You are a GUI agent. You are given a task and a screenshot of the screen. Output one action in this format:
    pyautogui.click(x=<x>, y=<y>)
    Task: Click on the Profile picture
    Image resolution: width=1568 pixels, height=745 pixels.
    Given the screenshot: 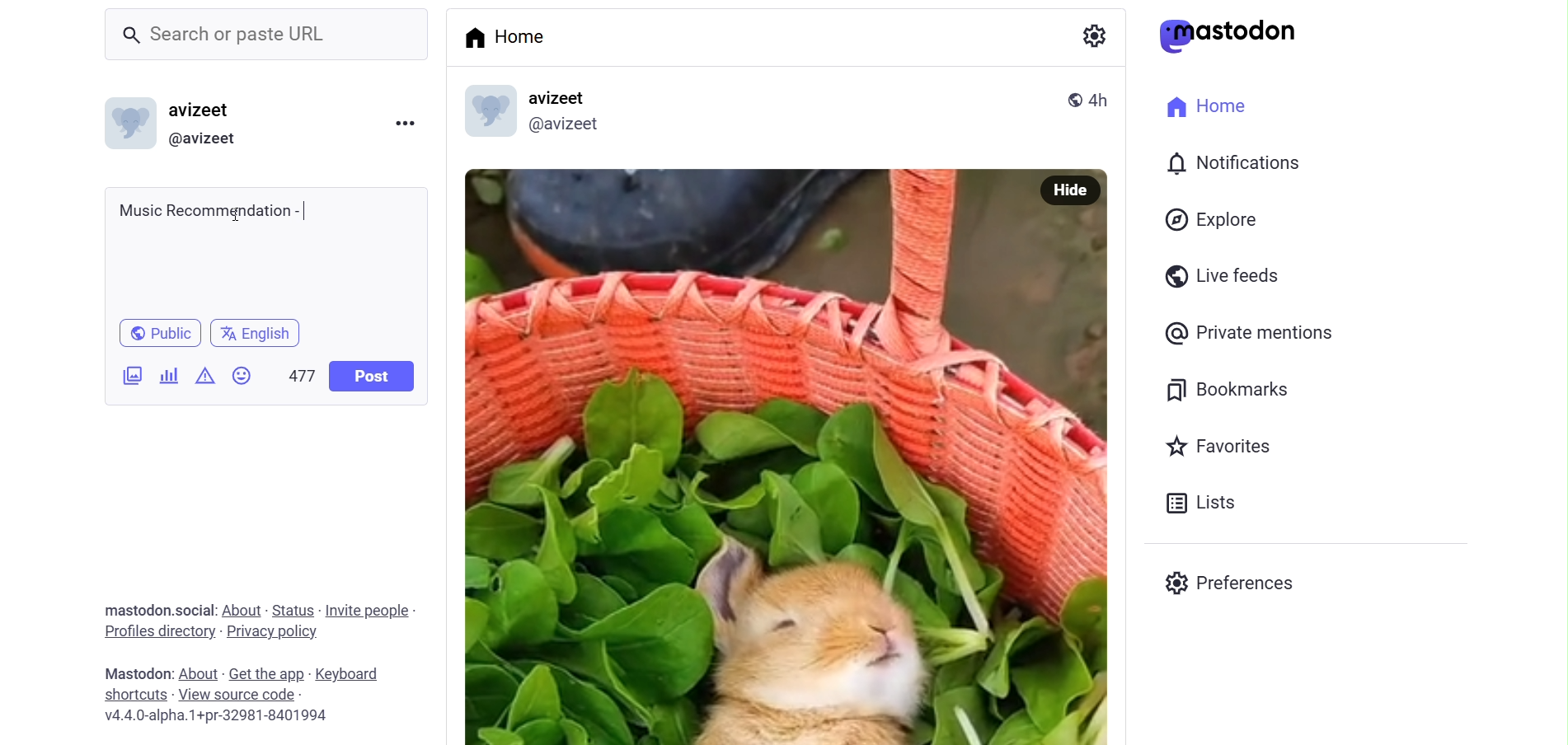 What is the action you would take?
    pyautogui.click(x=129, y=124)
    